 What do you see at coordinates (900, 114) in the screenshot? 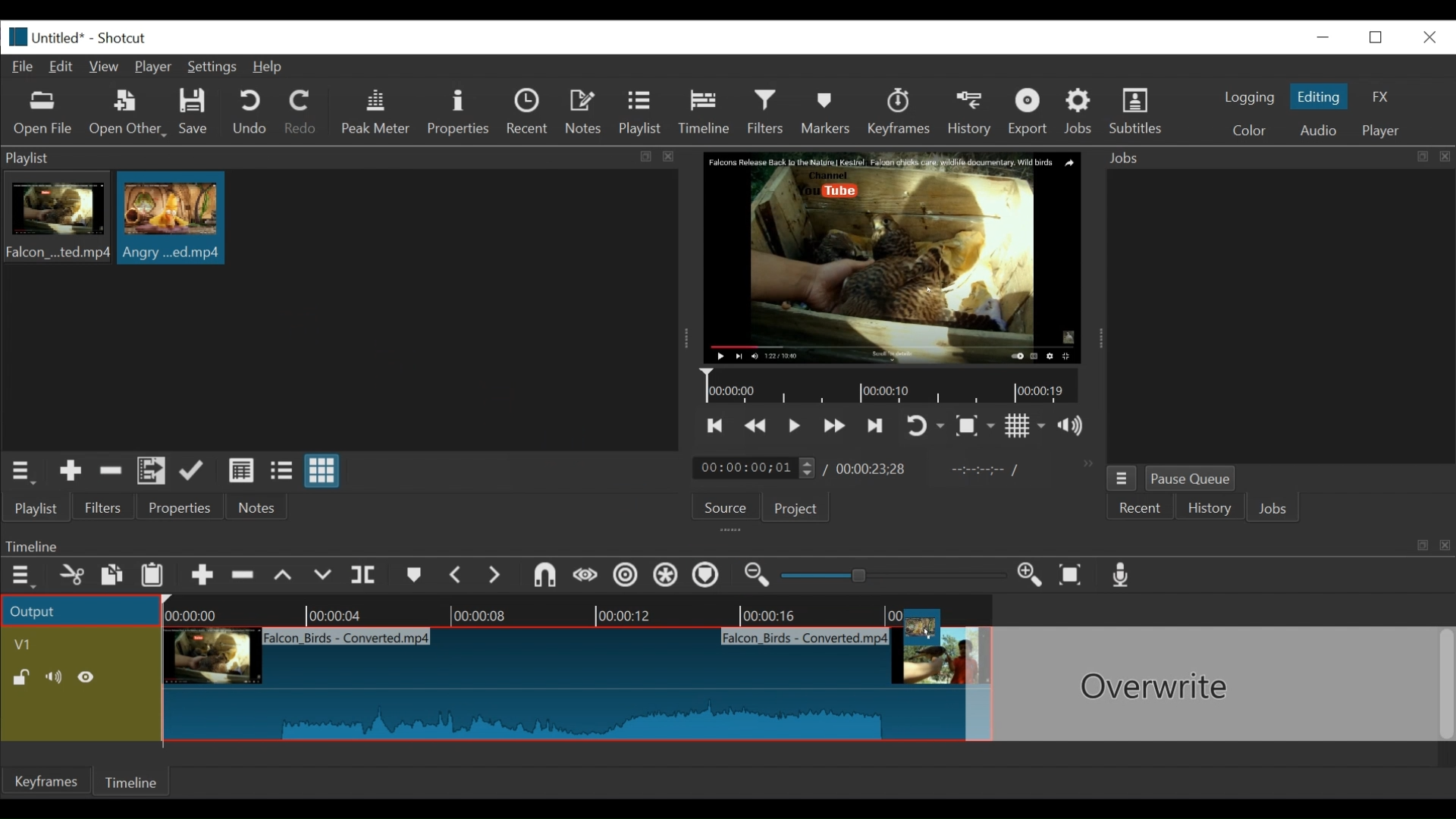
I see `keyframes` at bounding box center [900, 114].